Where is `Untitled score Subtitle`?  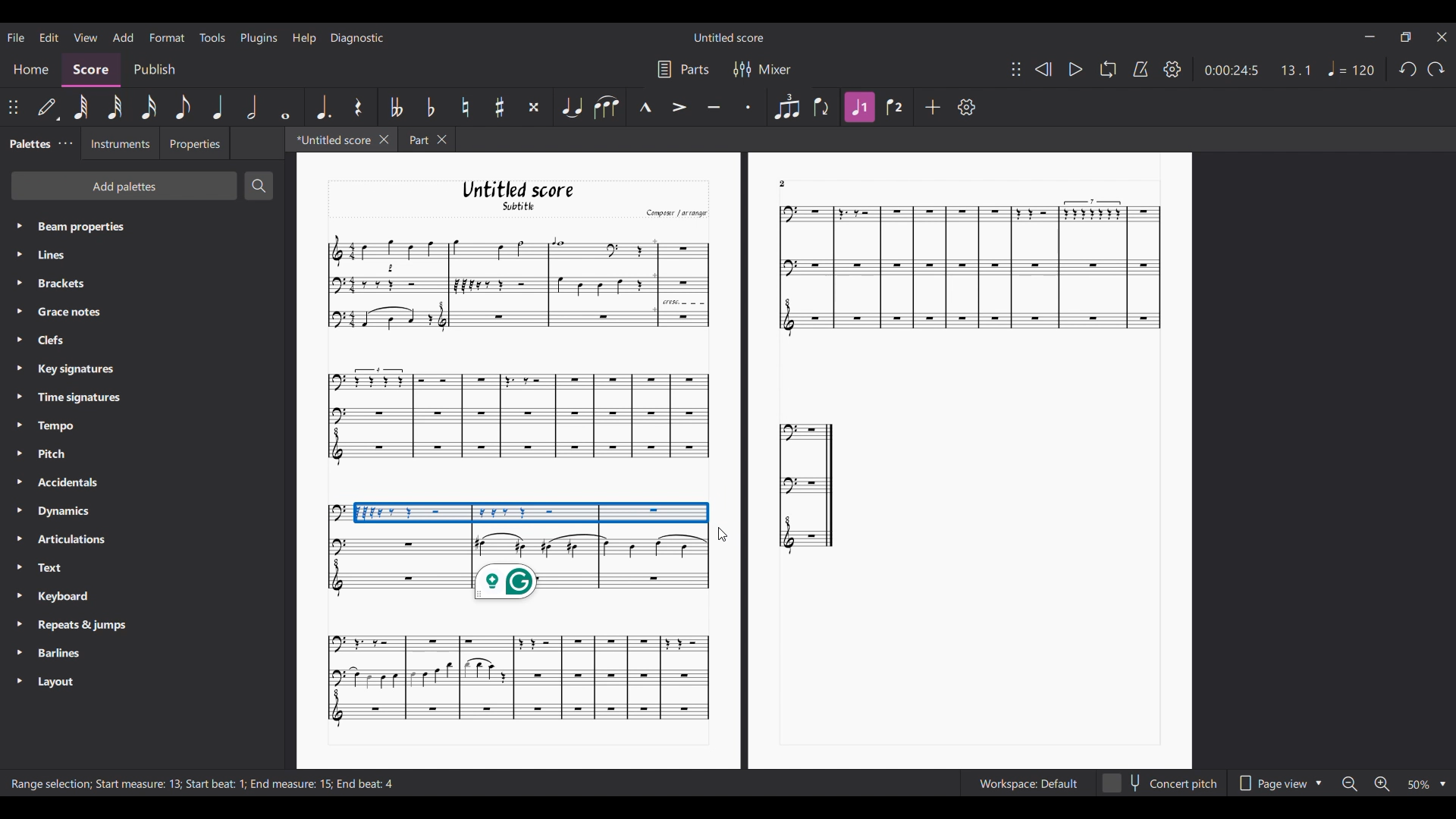 Untitled score Subtitle is located at coordinates (532, 196).